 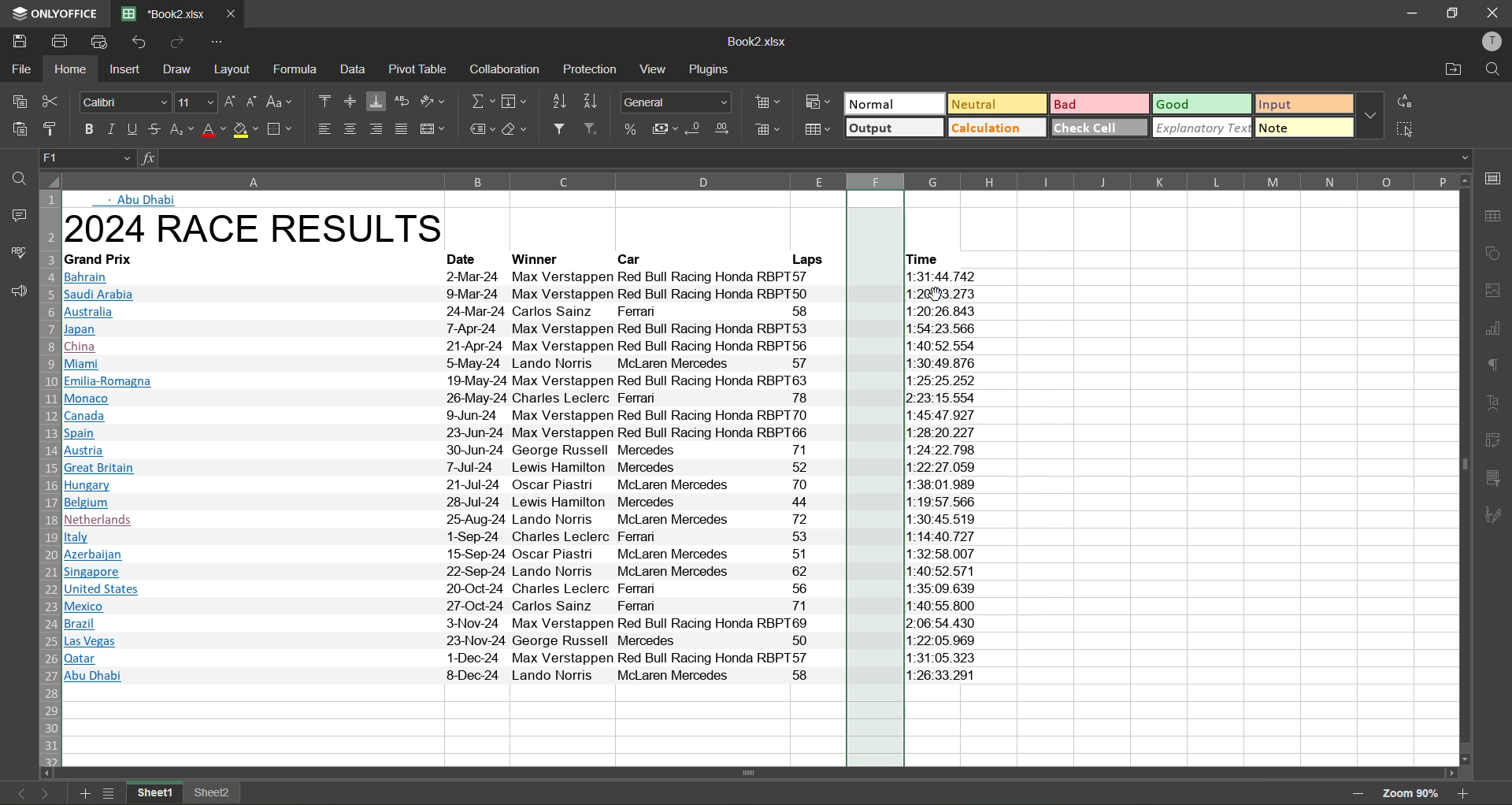 What do you see at coordinates (258, 229) in the screenshot?
I see `2024 RACE RESULTS` at bounding box center [258, 229].